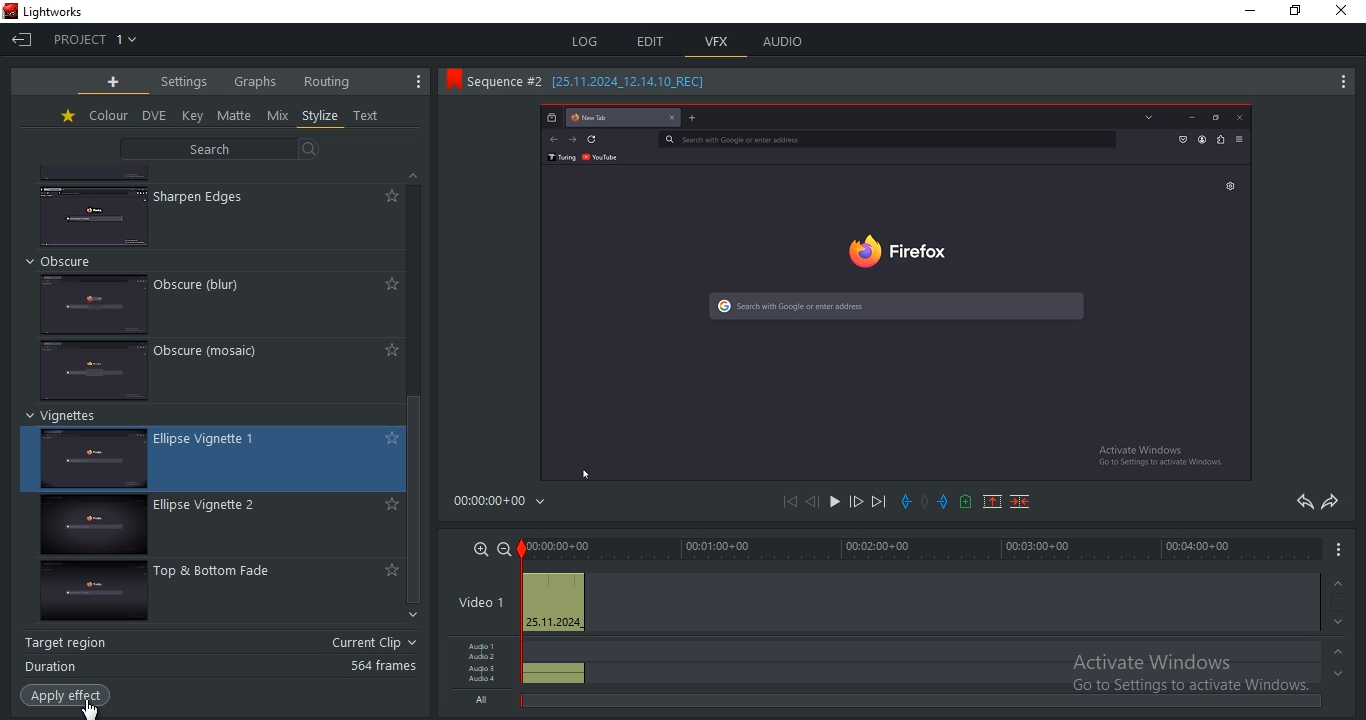  I want to click on obsure, so click(95, 369).